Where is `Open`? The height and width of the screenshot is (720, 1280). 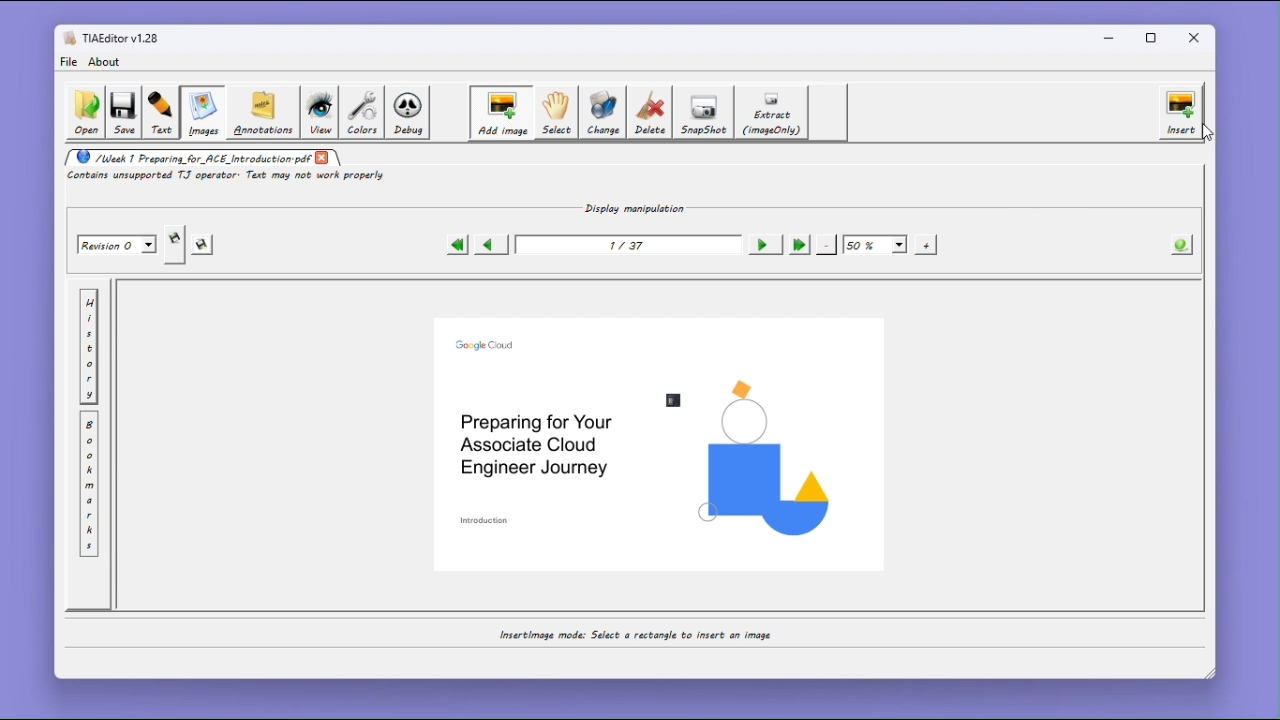
Open is located at coordinates (84, 113).